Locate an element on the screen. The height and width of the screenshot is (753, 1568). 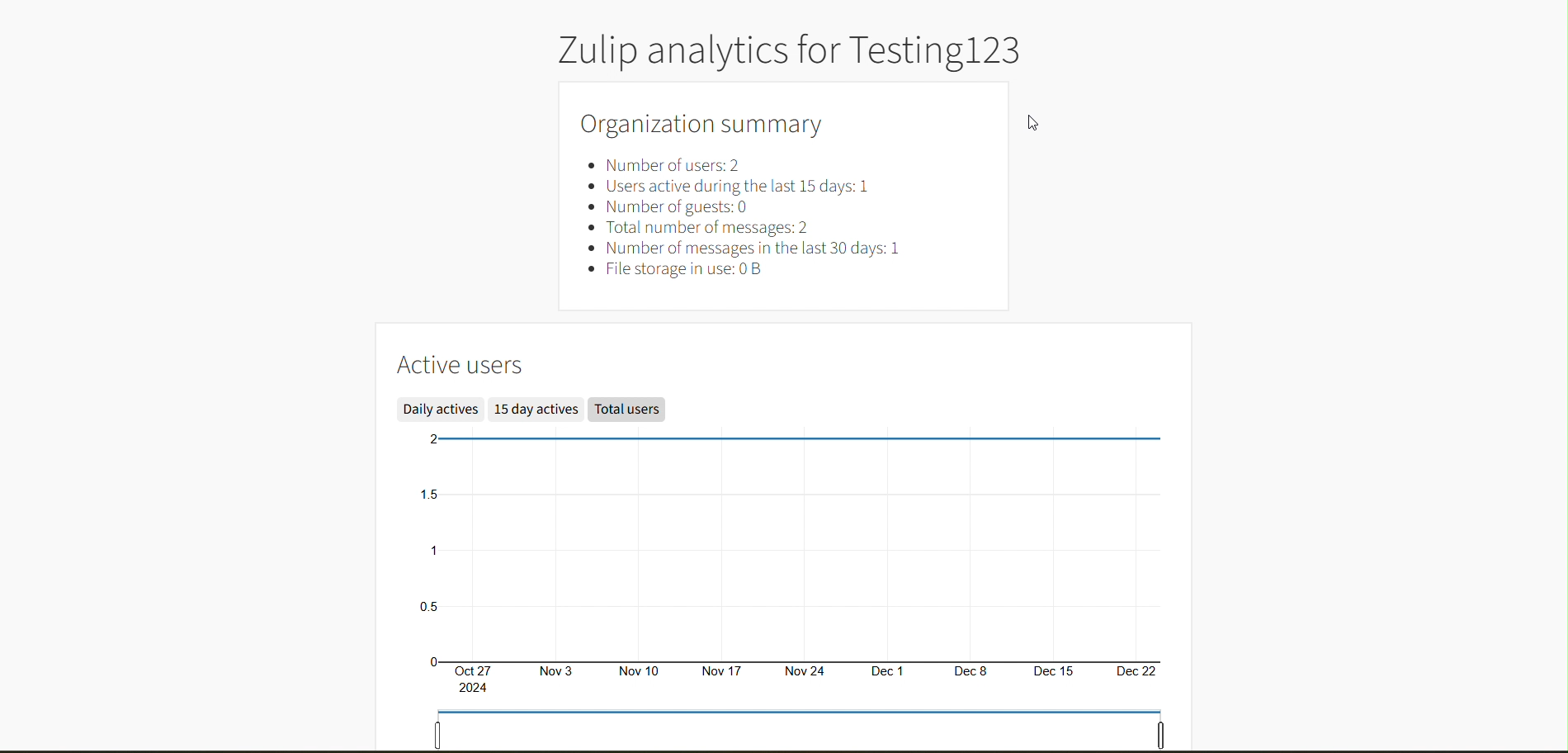
15 day actives is located at coordinates (537, 409).